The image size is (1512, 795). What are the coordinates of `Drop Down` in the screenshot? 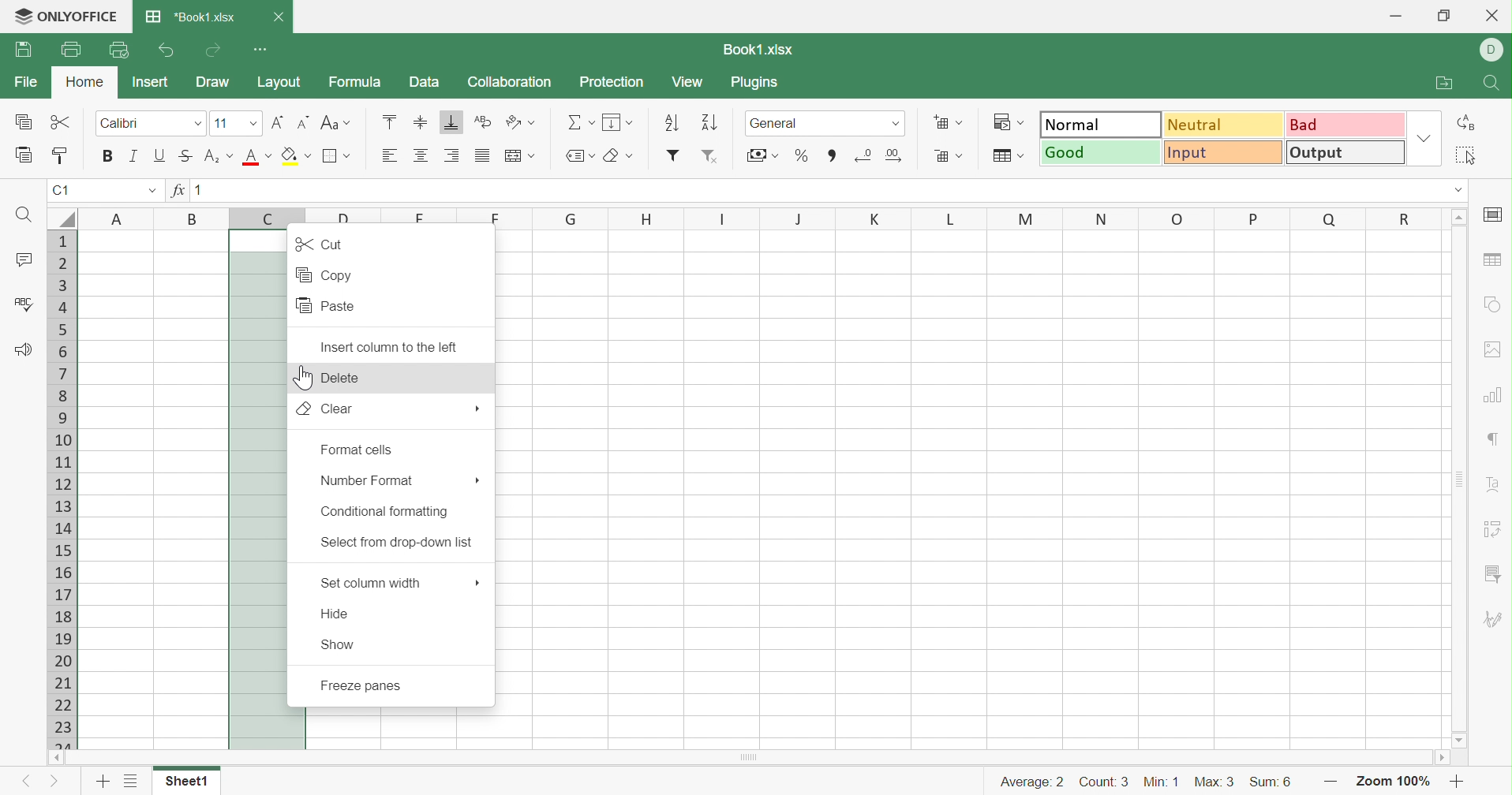 It's located at (961, 155).